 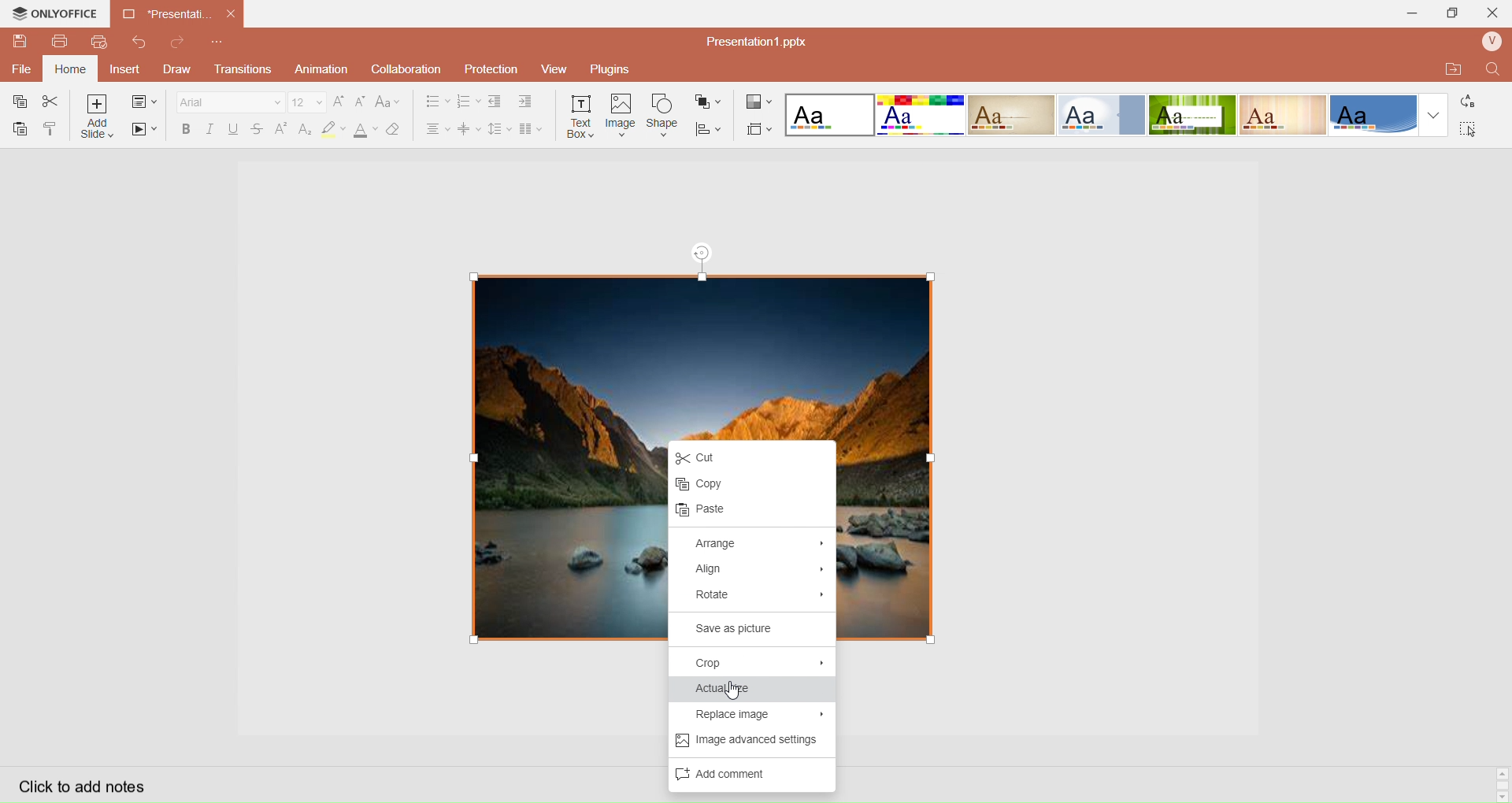 What do you see at coordinates (209, 129) in the screenshot?
I see `Italec` at bounding box center [209, 129].